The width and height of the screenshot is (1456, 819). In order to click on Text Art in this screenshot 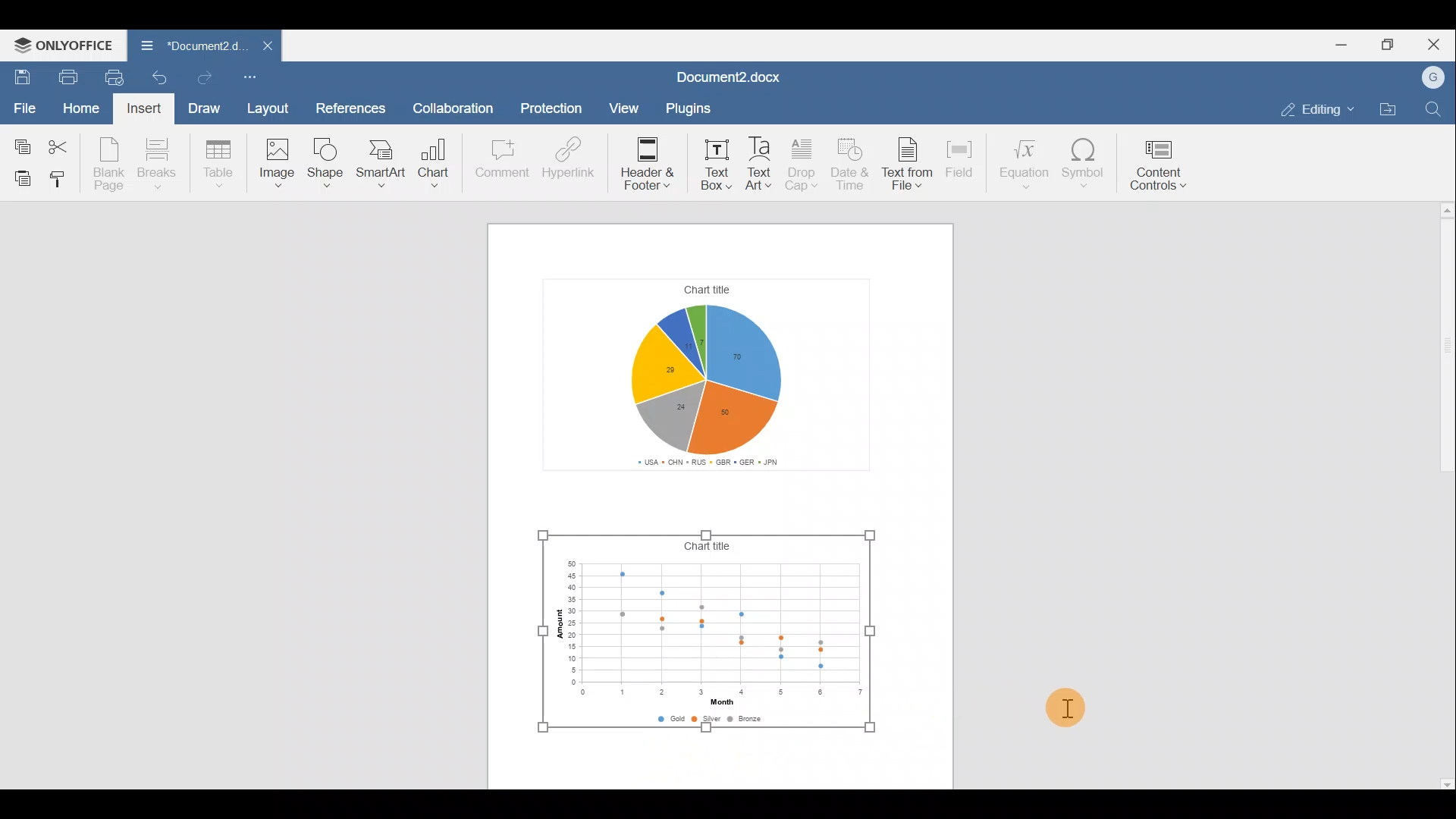, I will do `click(761, 162)`.